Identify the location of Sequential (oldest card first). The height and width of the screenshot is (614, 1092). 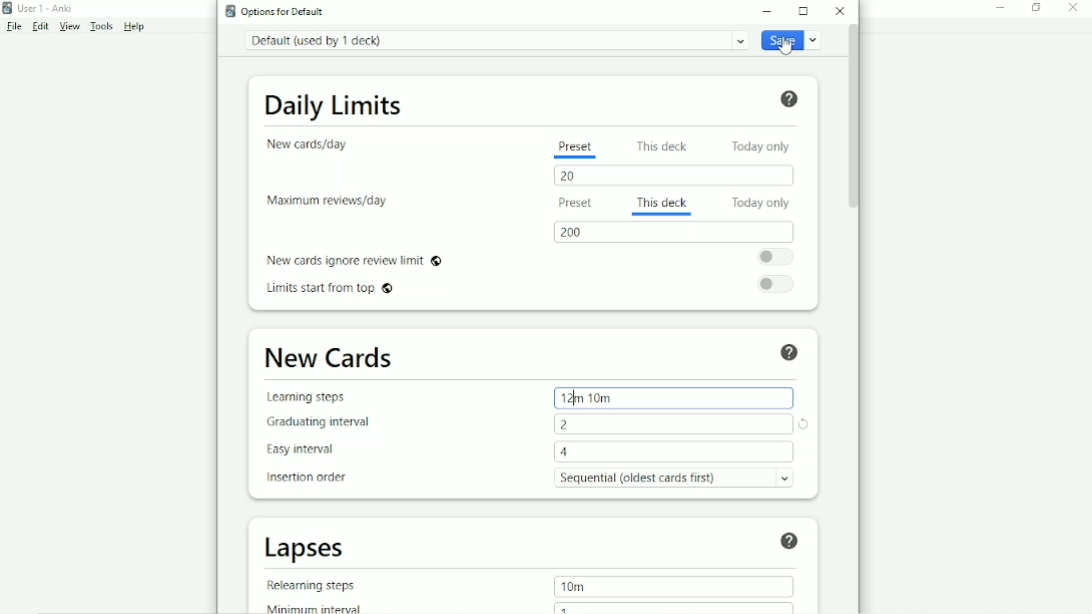
(674, 477).